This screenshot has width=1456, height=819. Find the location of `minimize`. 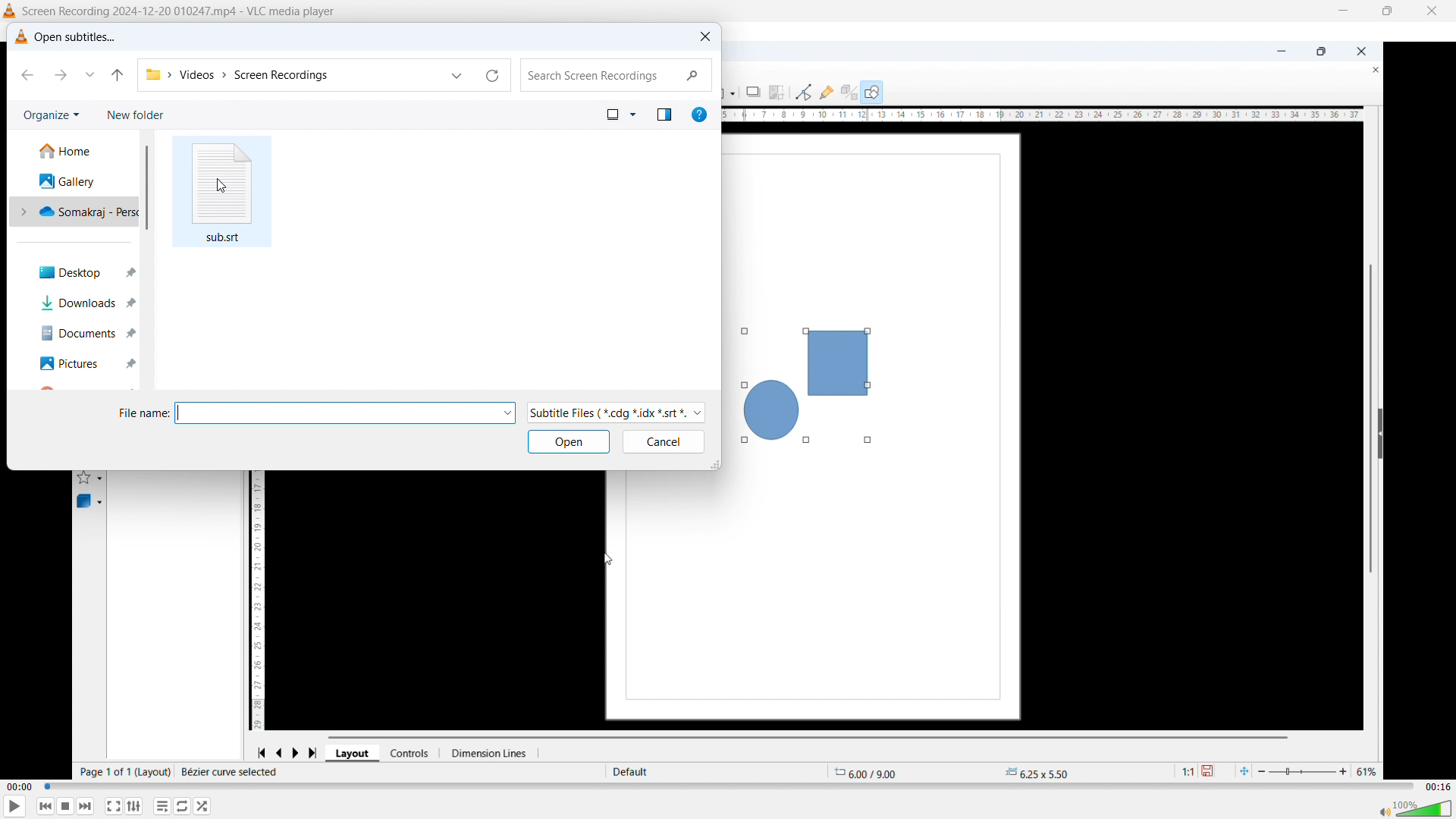

minimize is located at coordinates (1278, 50).